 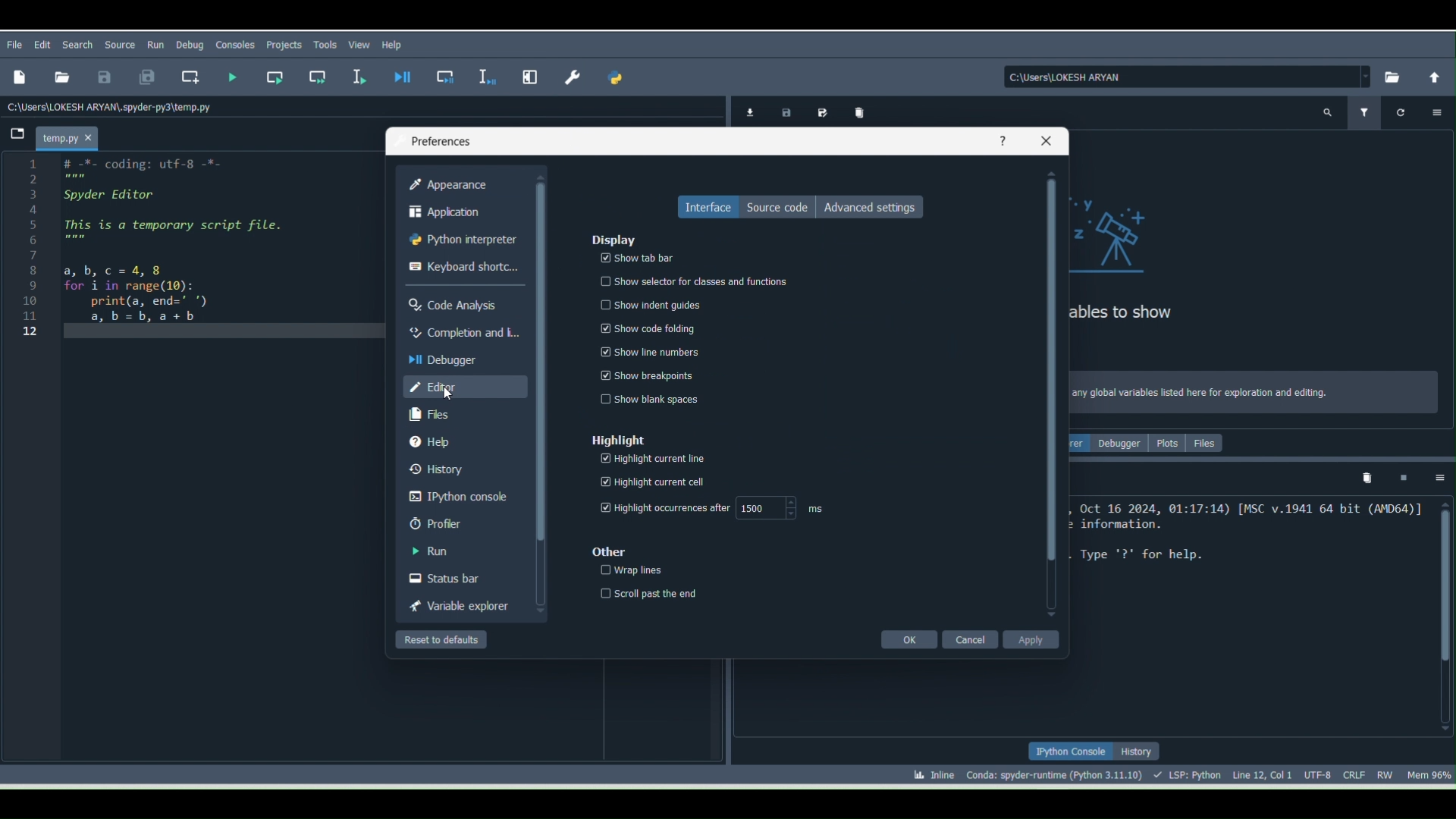 I want to click on Source Code, so click(x=773, y=206).